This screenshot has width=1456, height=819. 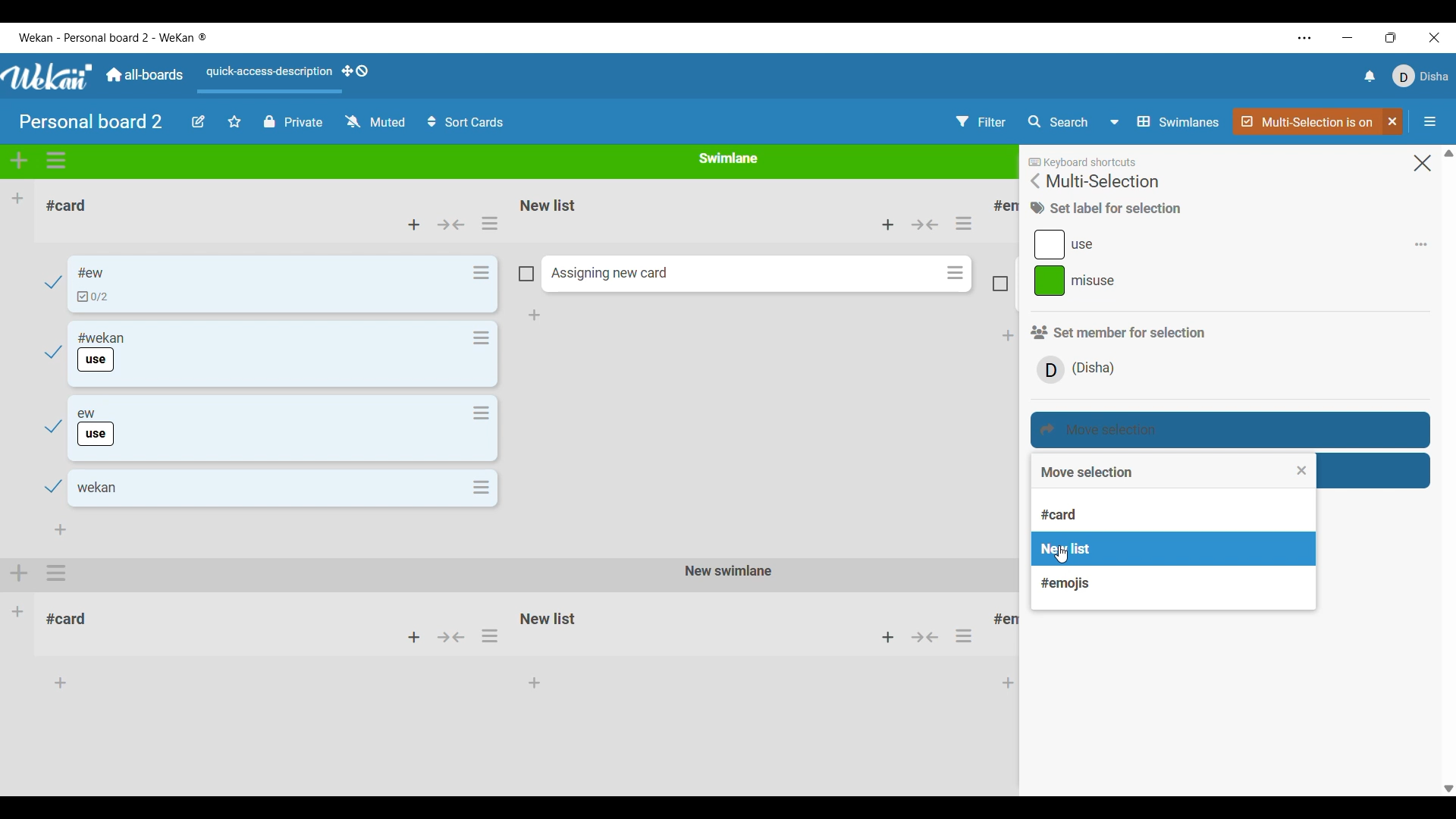 I want to click on Quick access description, so click(x=267, y=78).